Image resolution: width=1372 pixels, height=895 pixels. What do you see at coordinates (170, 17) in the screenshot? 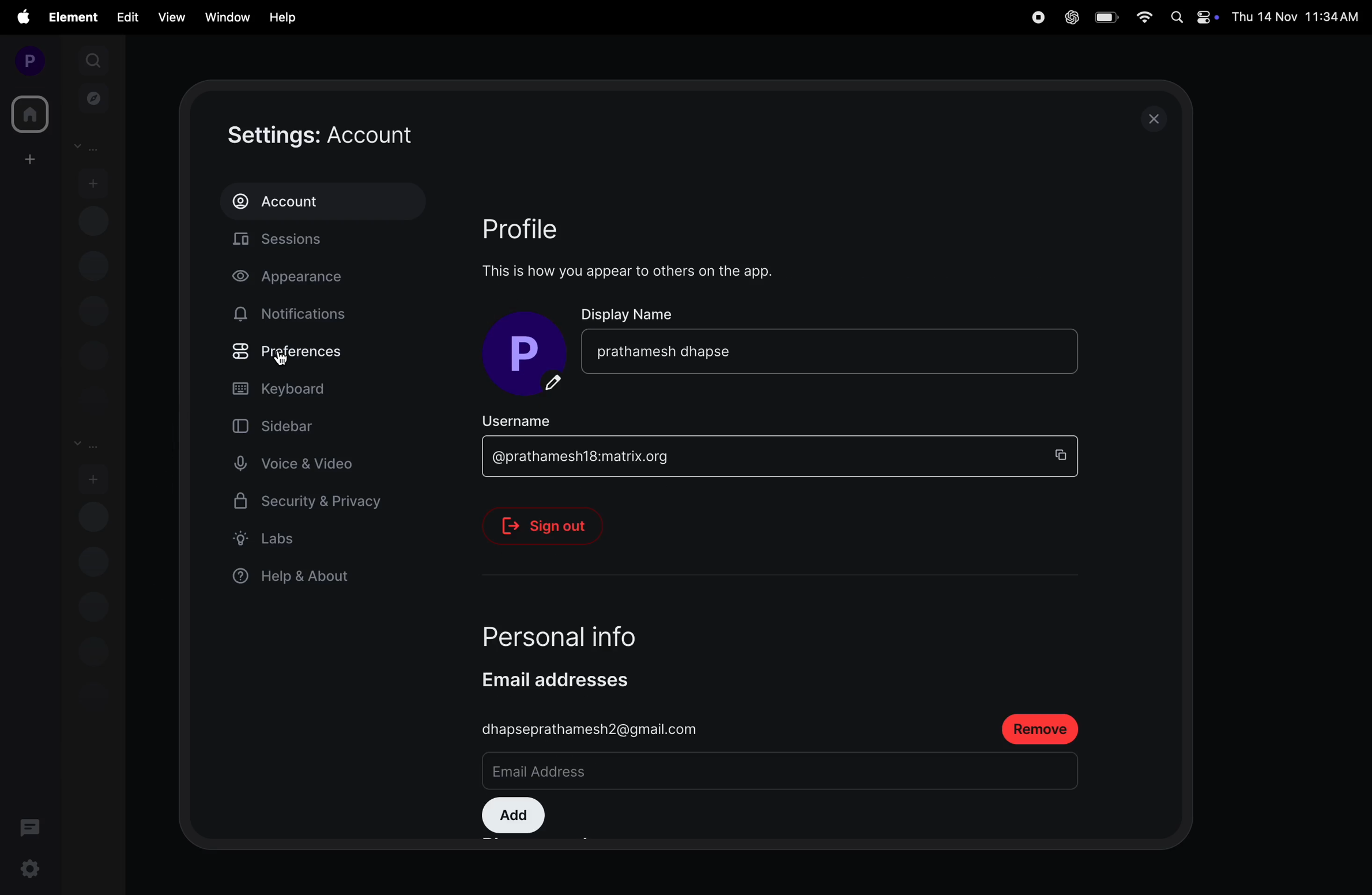
I see `view` at bounding box center [170, 17].